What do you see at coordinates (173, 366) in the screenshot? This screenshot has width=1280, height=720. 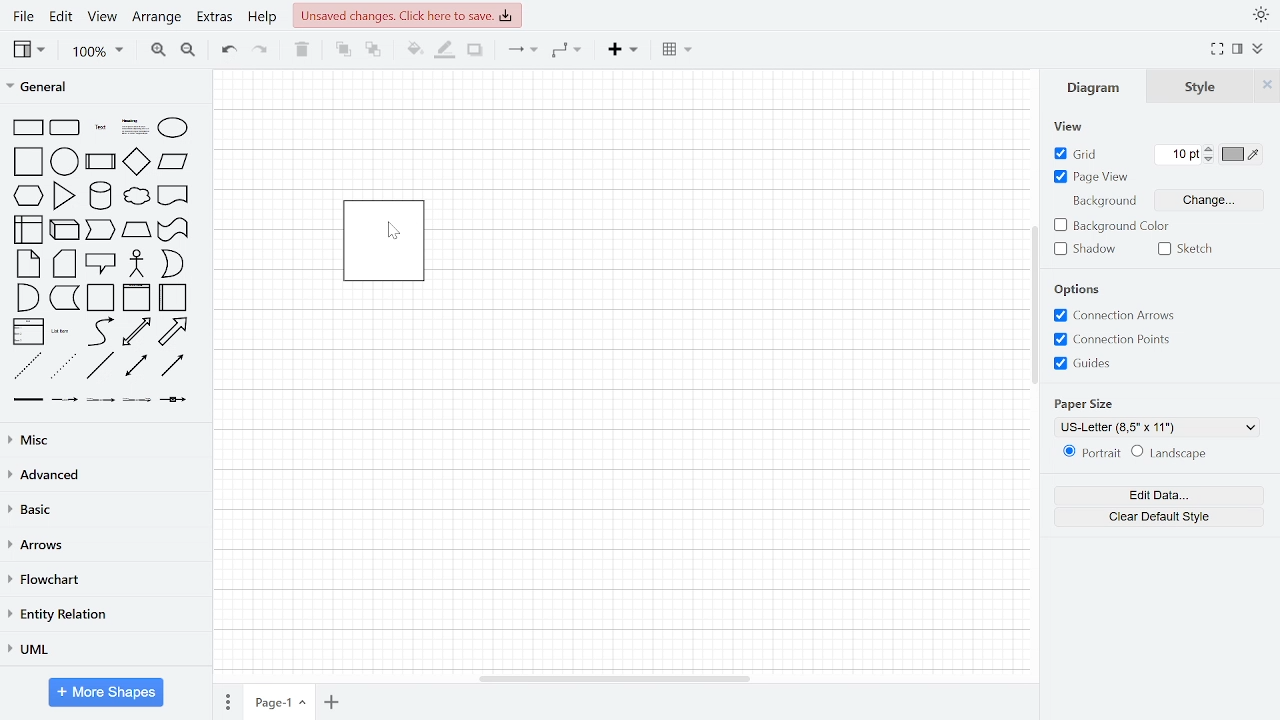 I see `directional connector` at bounding box center [173, 366].